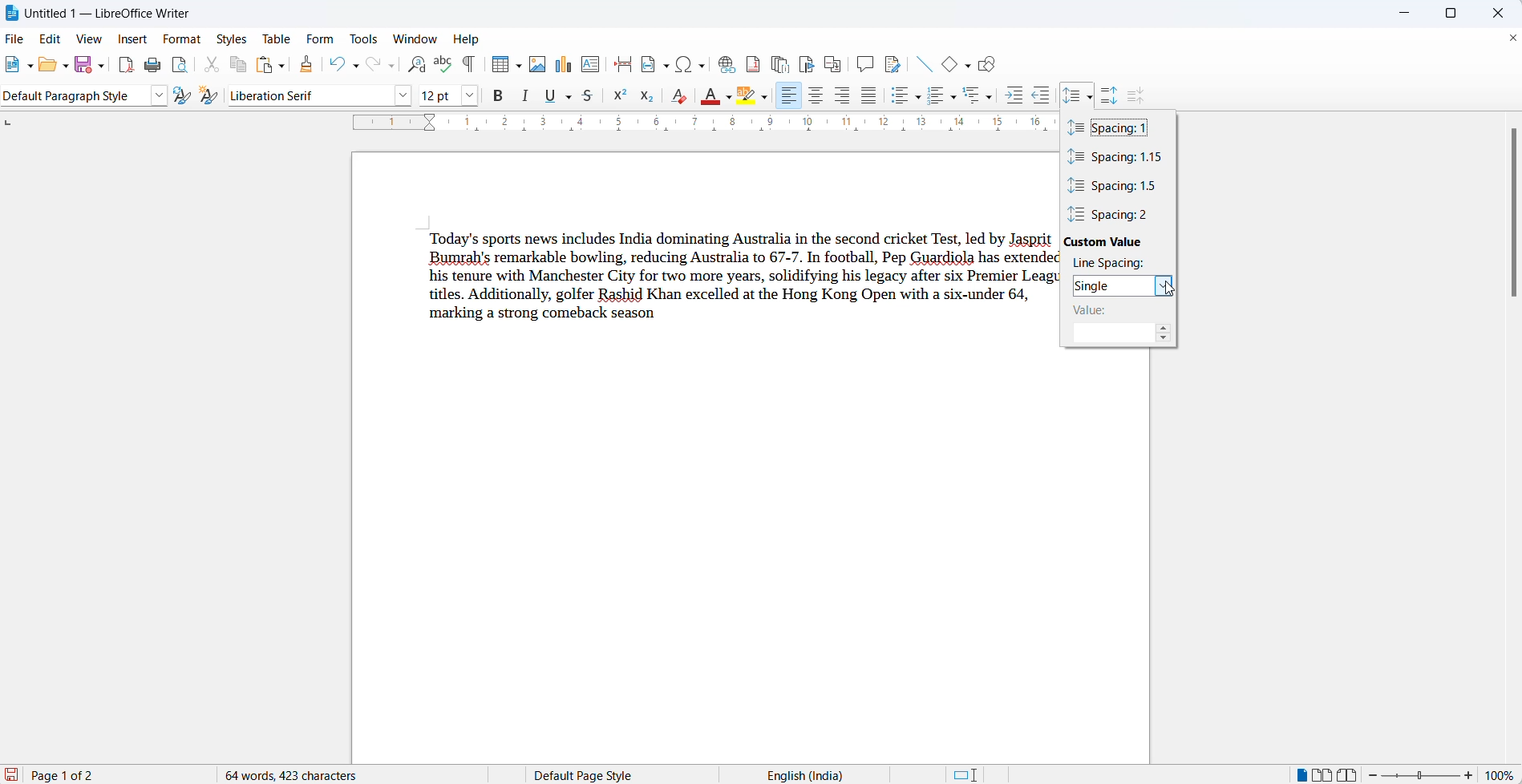  I want to click on insert table, so click(497, 64).